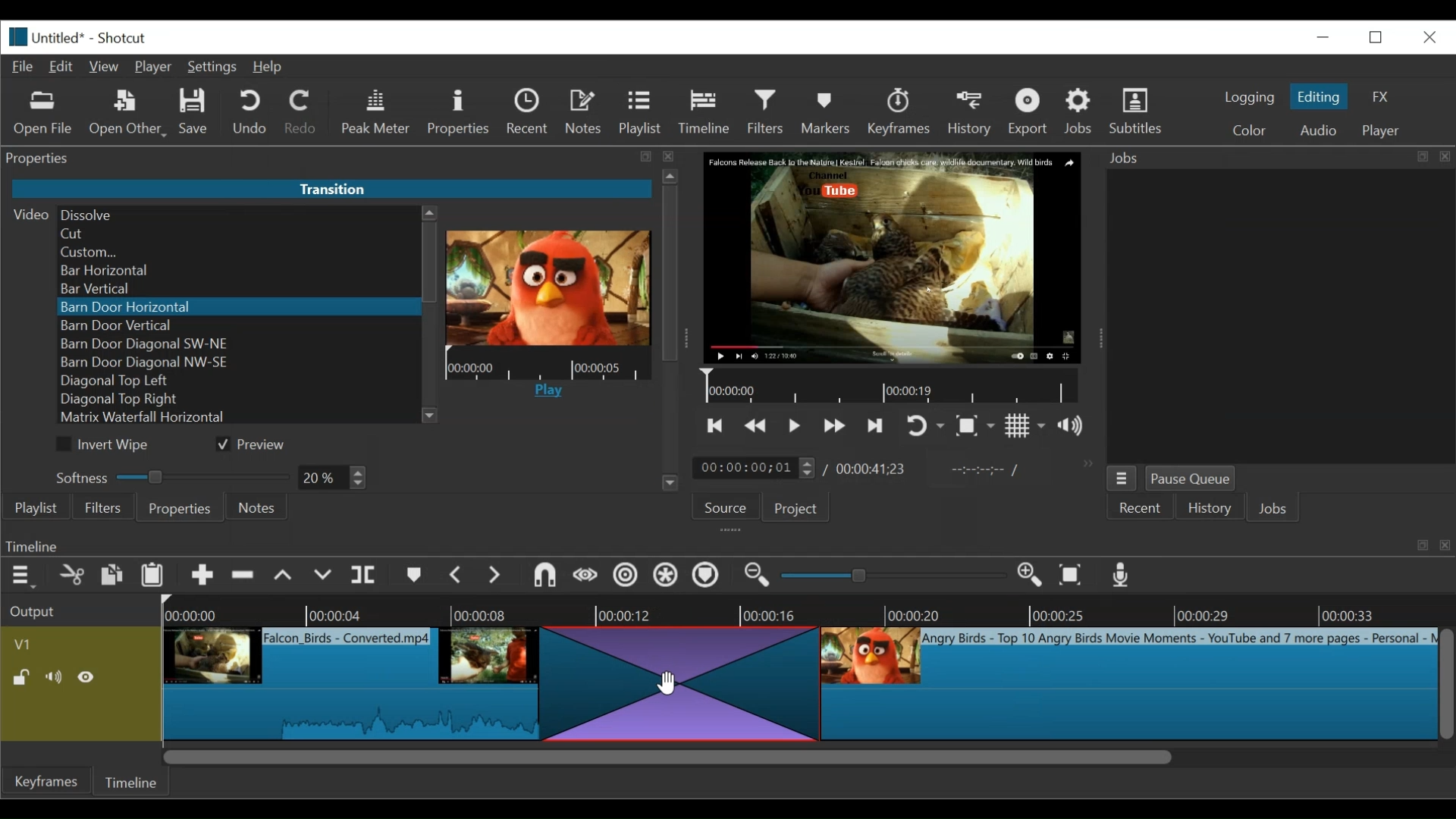 The image size is (1456, 819). Describe the element at coordinates (667, 576) in the screenshot. I see `Ripple all tracks` at that location.